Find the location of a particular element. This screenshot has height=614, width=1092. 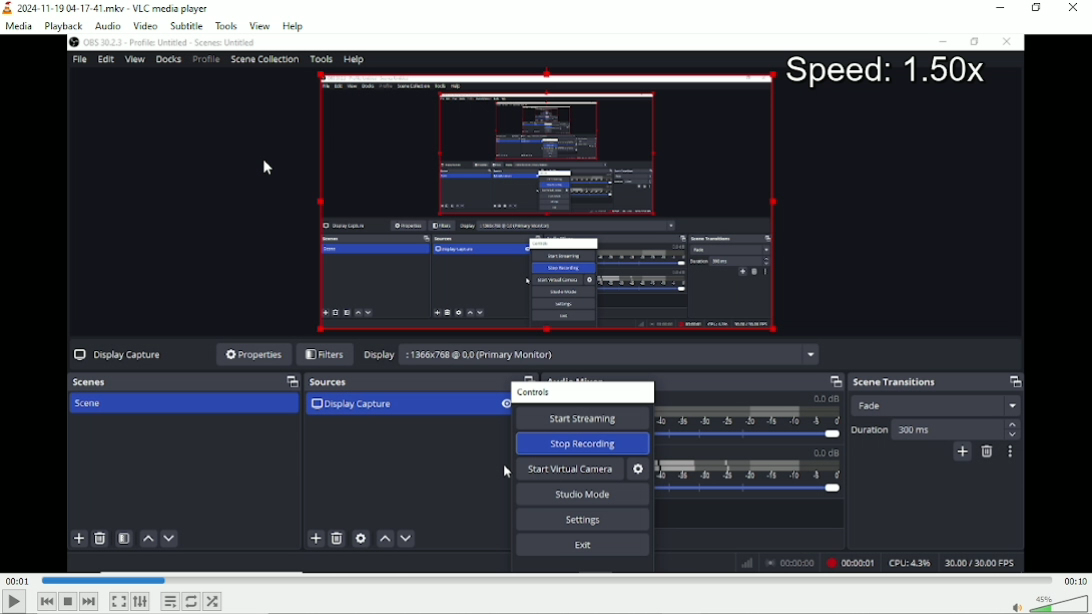

cursor is located at coordinates (269, 168).